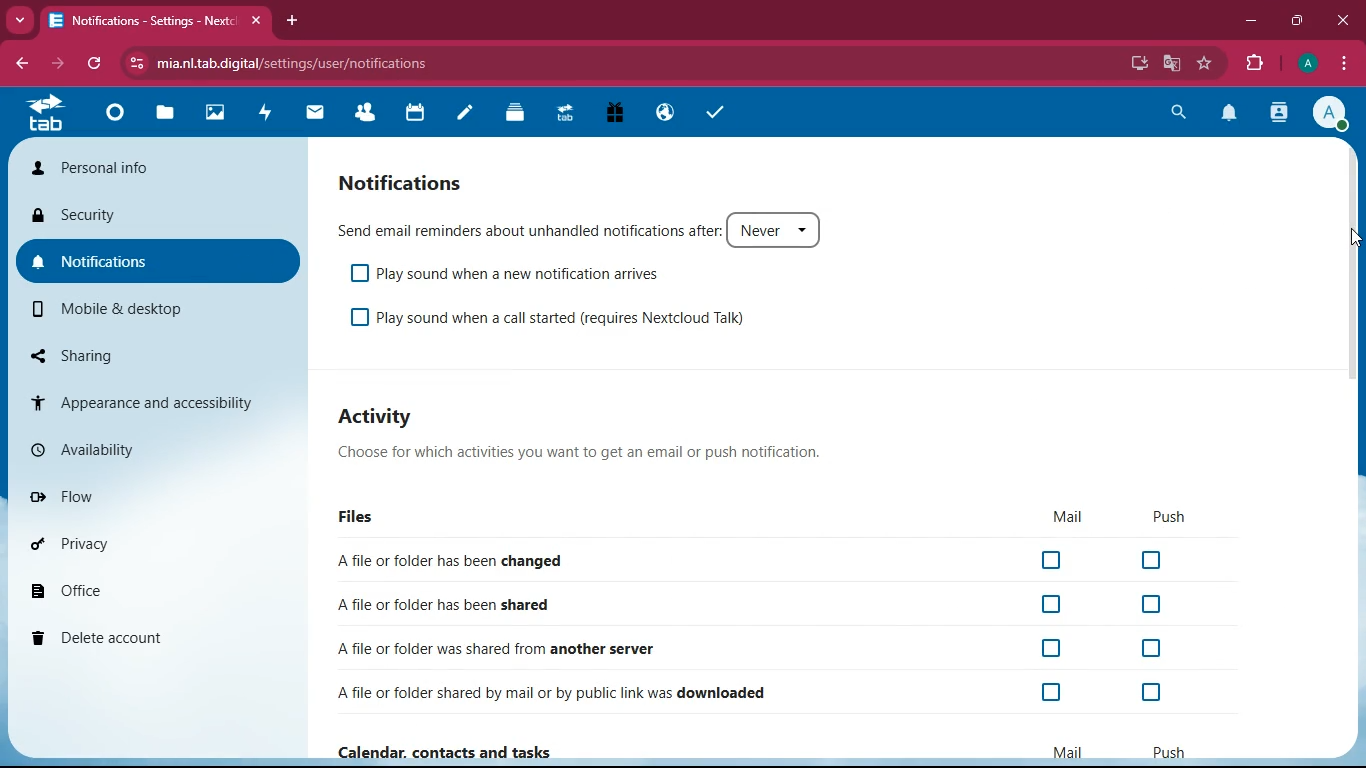  Describe the element at coordinates (21, 21) in the screenshot. I see `Drop down` at that location.